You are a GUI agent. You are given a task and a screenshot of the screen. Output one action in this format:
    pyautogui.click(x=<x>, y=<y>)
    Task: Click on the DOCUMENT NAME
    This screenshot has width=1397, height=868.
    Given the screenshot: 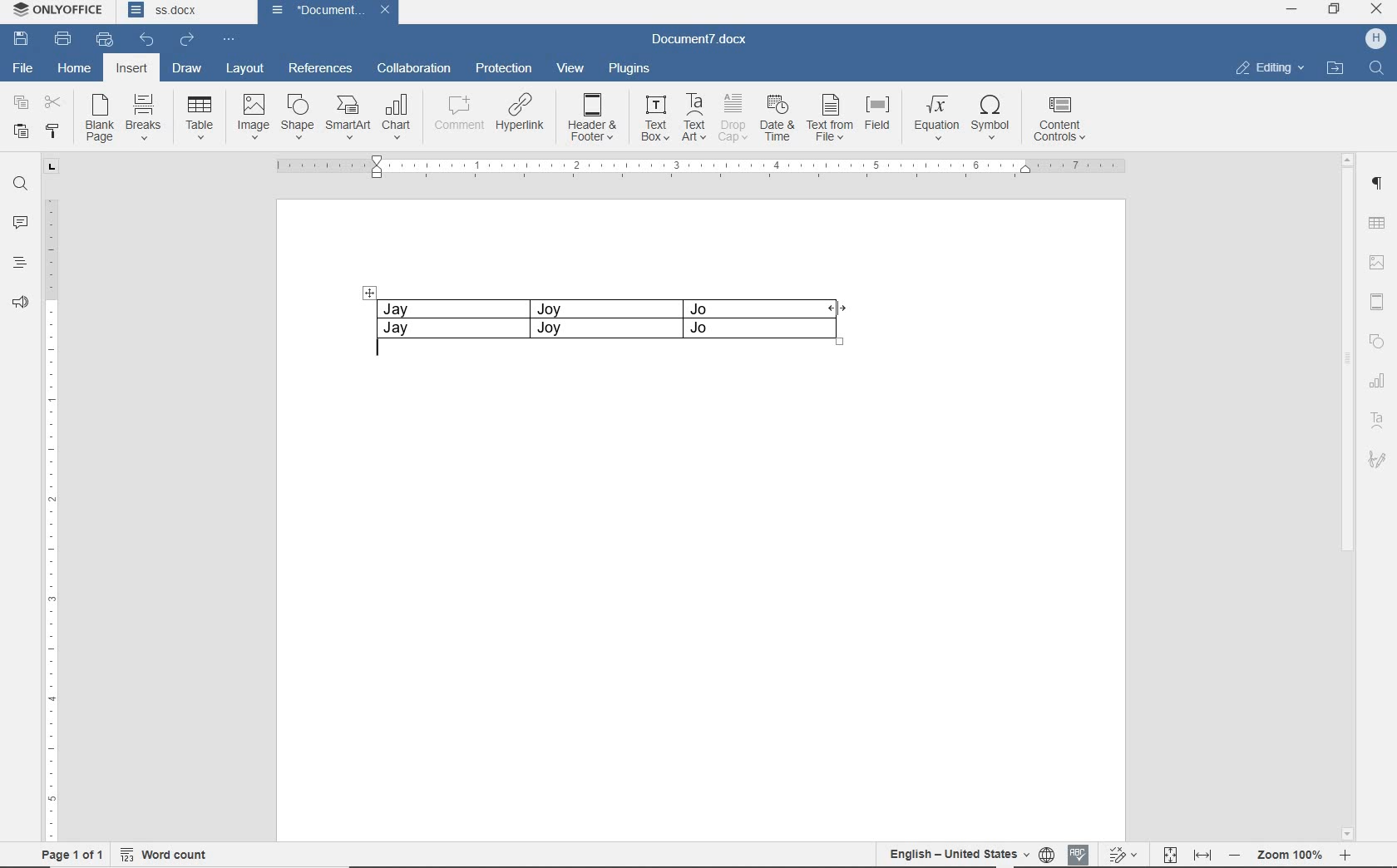 What is the action you would take?
    pyautogui.click(x=182, y=12)
    